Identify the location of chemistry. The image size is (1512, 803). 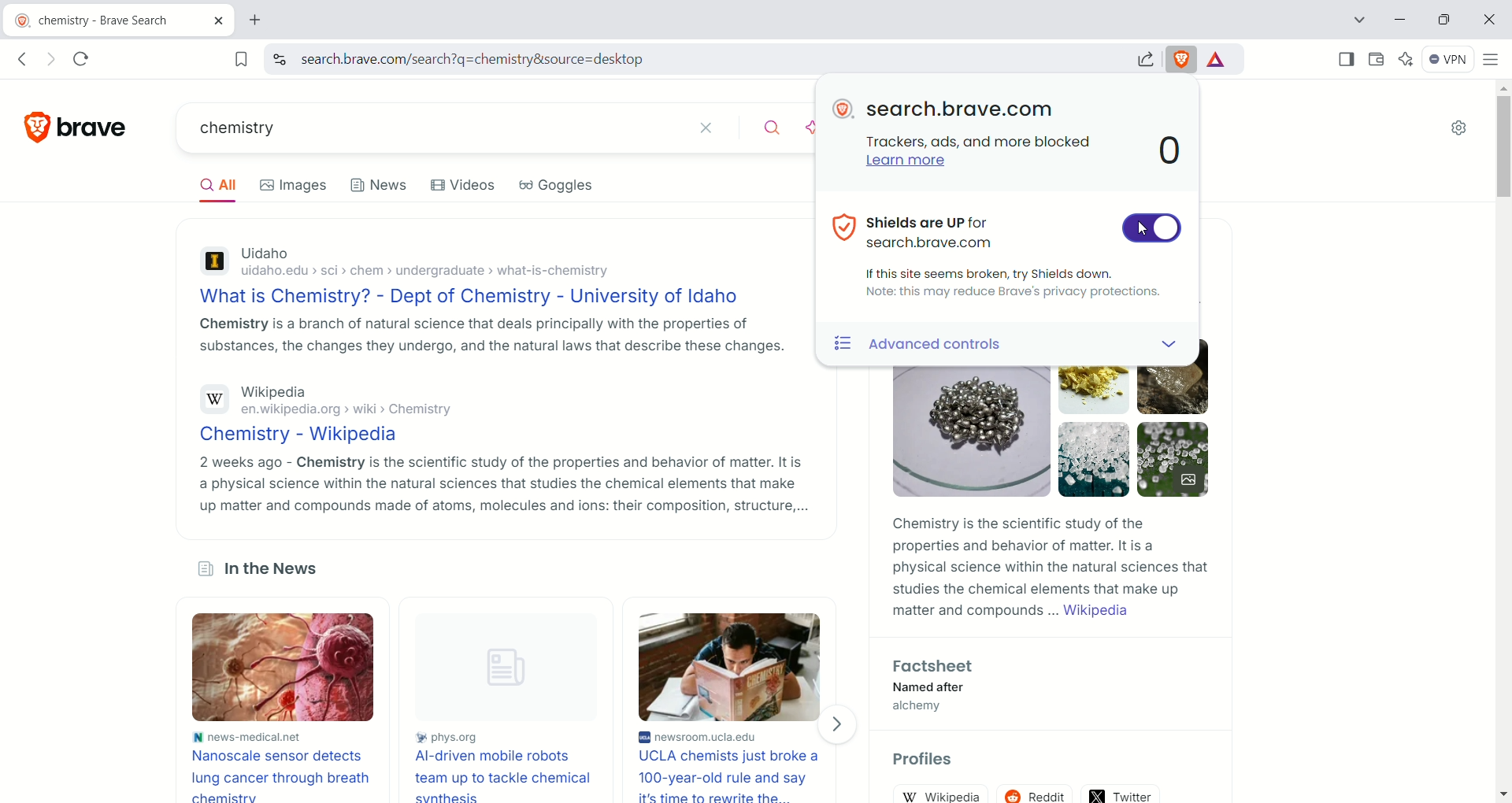
(432, 126).